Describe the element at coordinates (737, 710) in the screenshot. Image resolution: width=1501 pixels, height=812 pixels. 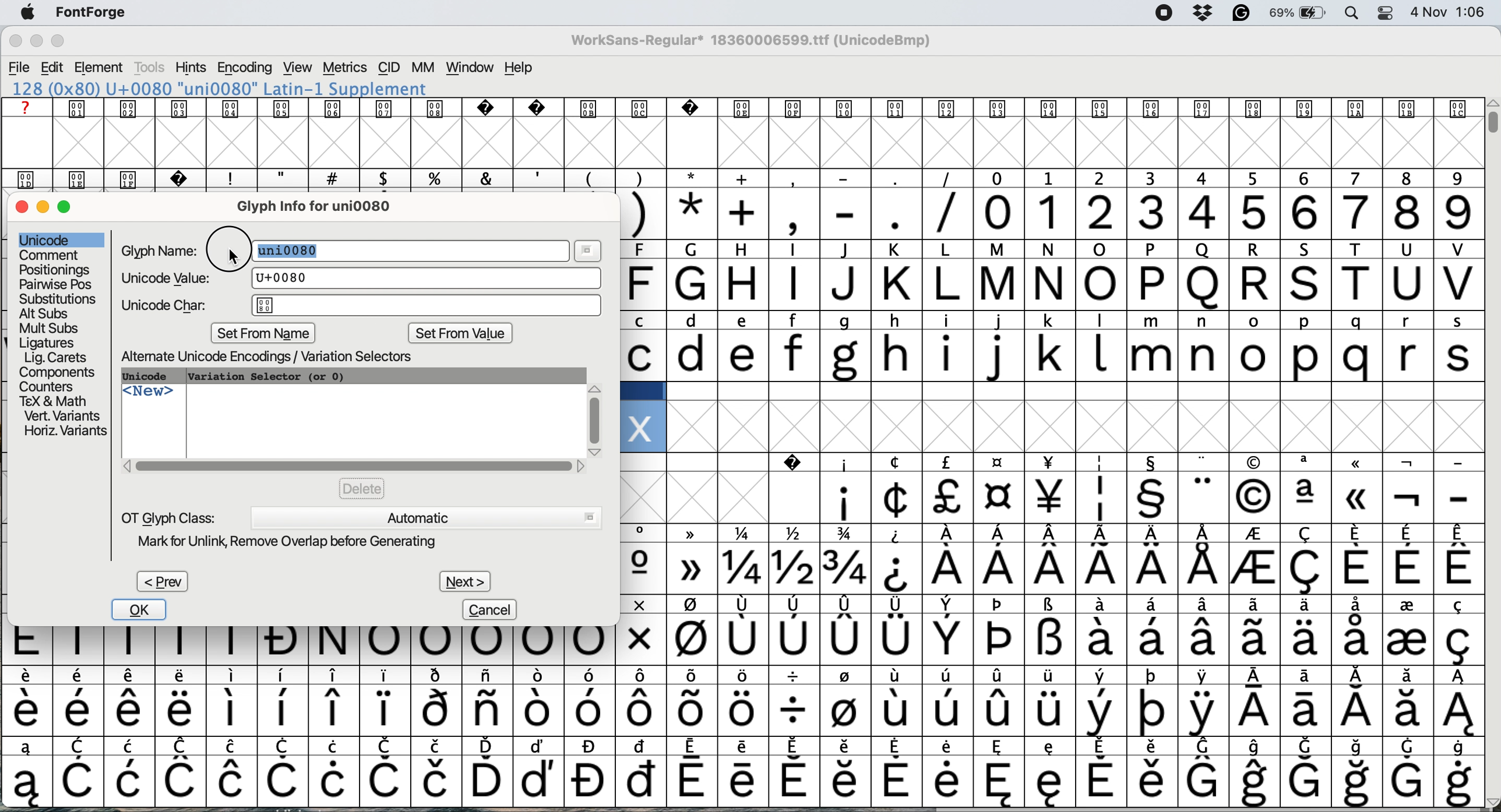
I see `special characters` at that location.